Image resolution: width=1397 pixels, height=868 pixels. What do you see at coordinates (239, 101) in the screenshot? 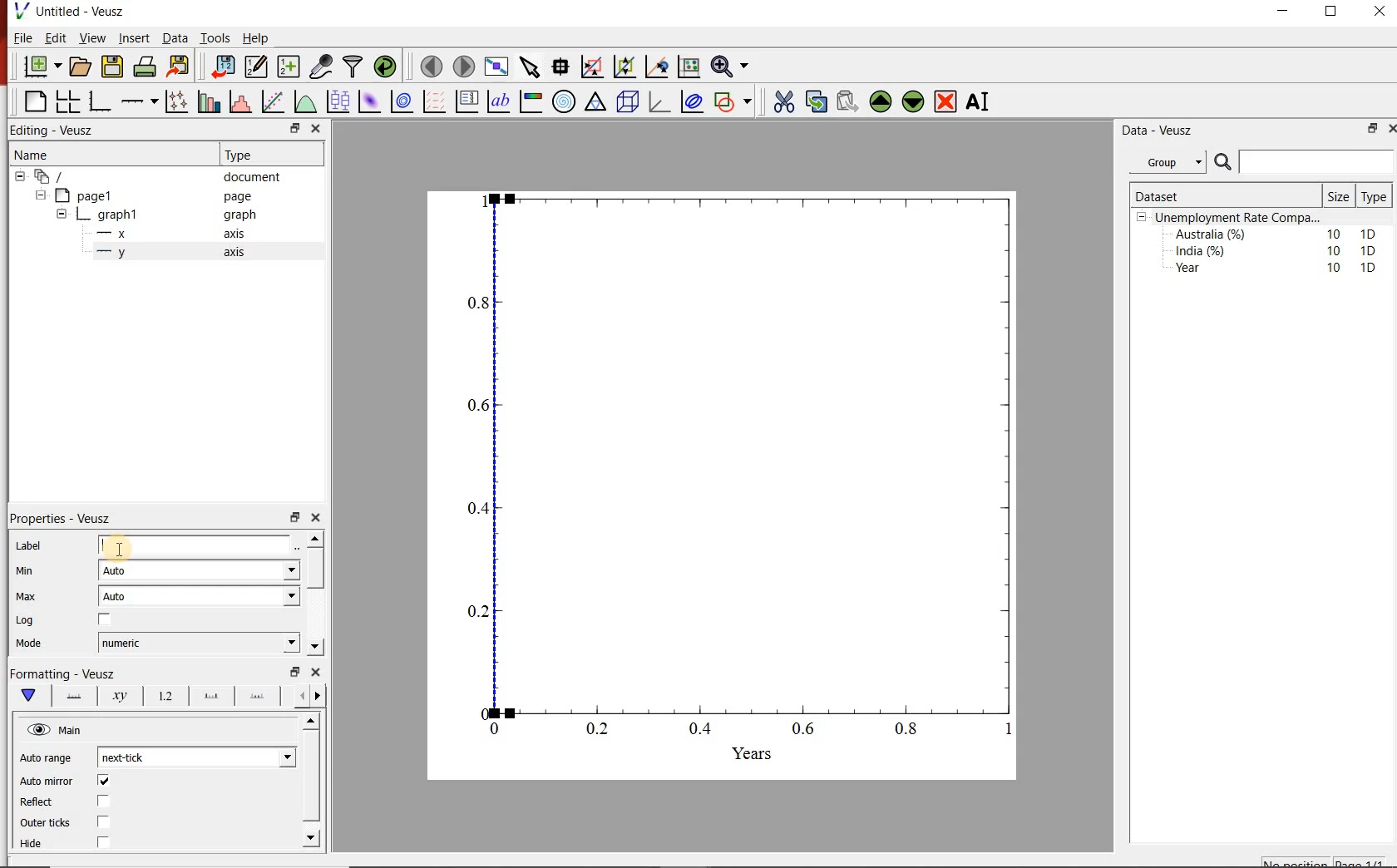
I see `histograms` at bounding box center [239, 101].